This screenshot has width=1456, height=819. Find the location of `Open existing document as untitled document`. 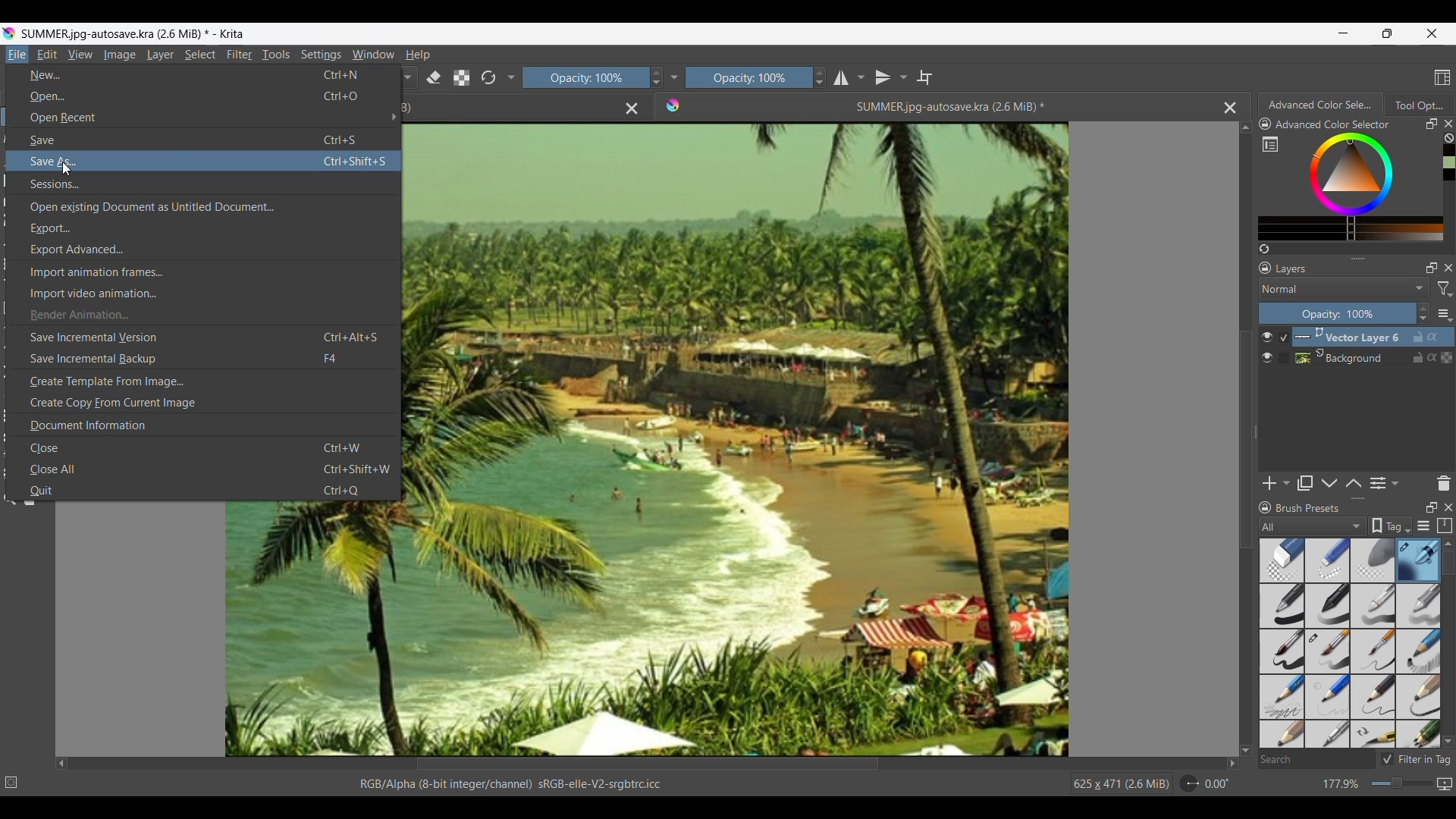

Open existing document as untitled document is located at coordinates (204, 206).